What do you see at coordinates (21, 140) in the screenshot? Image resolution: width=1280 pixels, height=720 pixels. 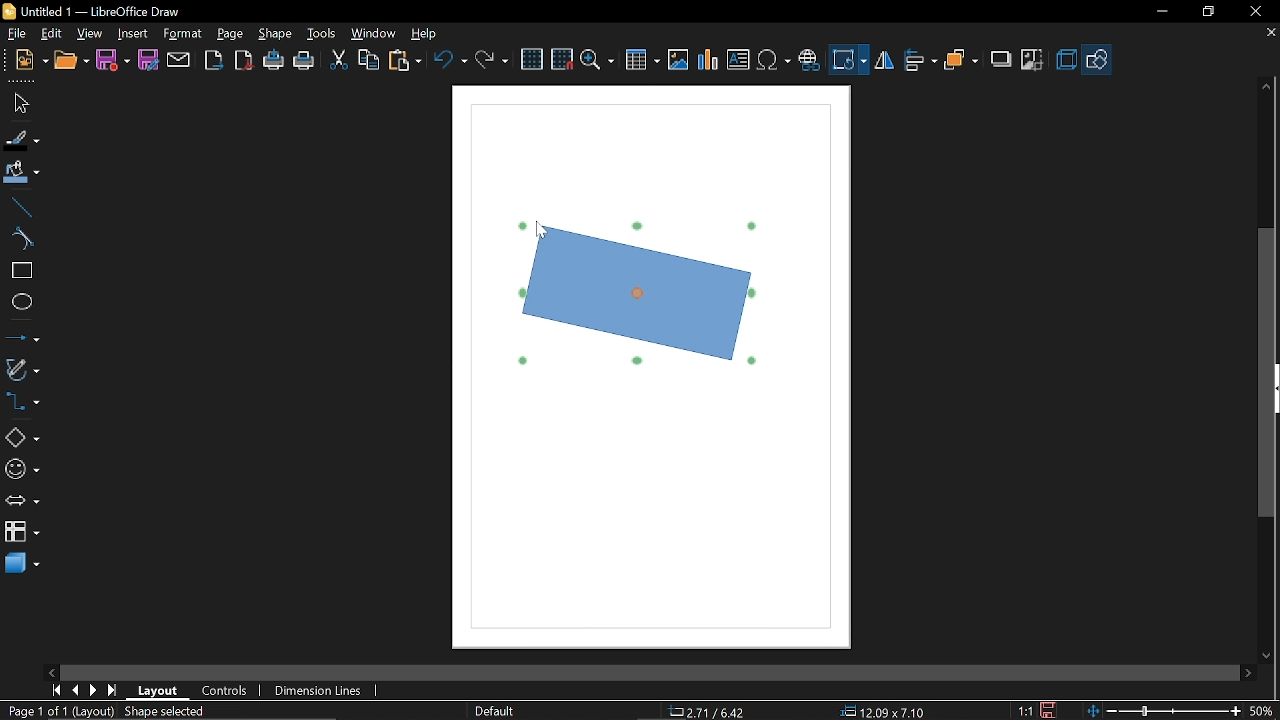 I see `Fill line` at bounding box center [21, 140].